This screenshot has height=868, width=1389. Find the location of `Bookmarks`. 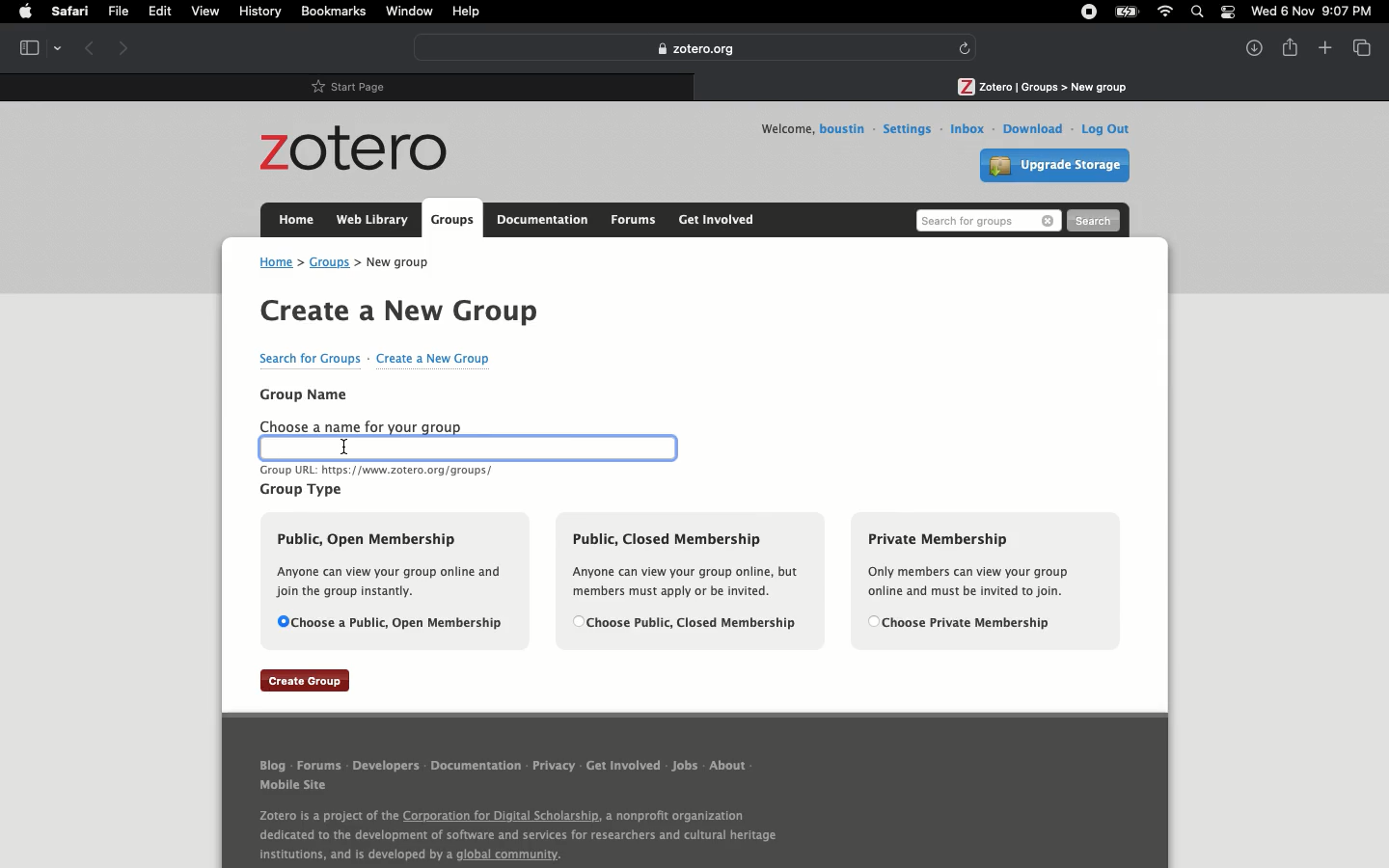

Bookmarks is located at coordinates (334, 12).